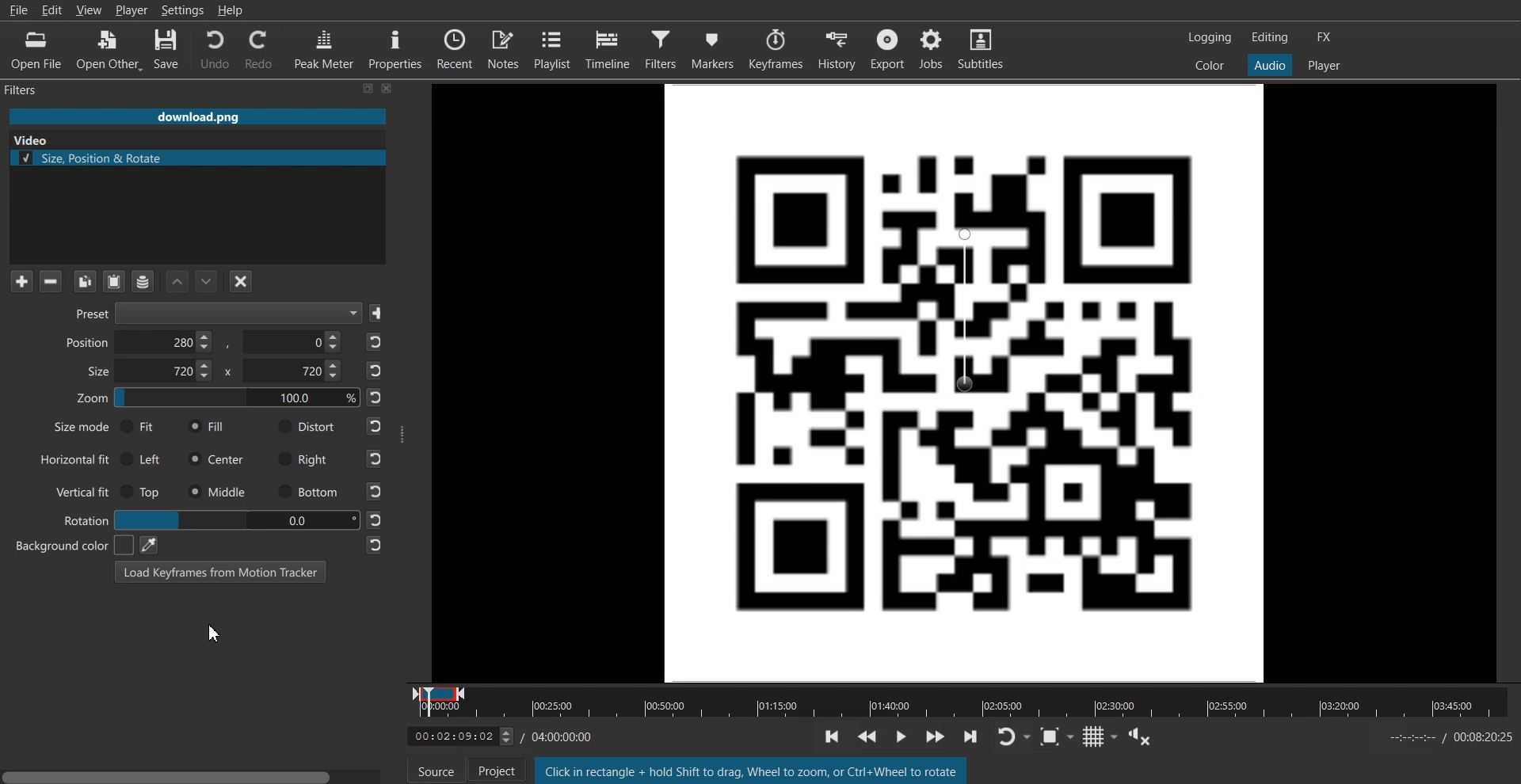  Describe the element at coordinates (74, 460) in the screenshot. I see `Horizontal Fit` at that location.